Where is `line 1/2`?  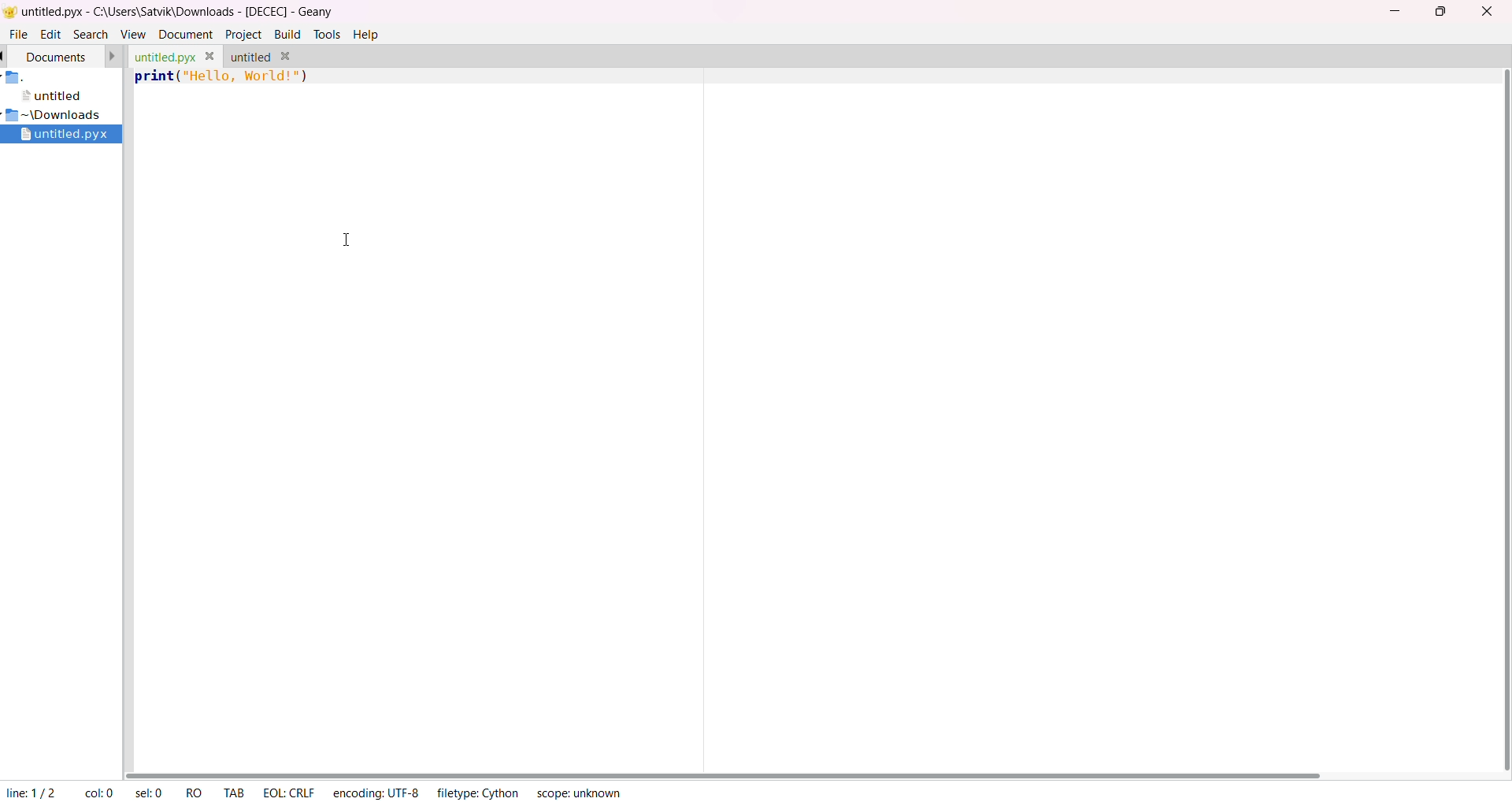 line 1/2 is located at coordinates (30, 790).